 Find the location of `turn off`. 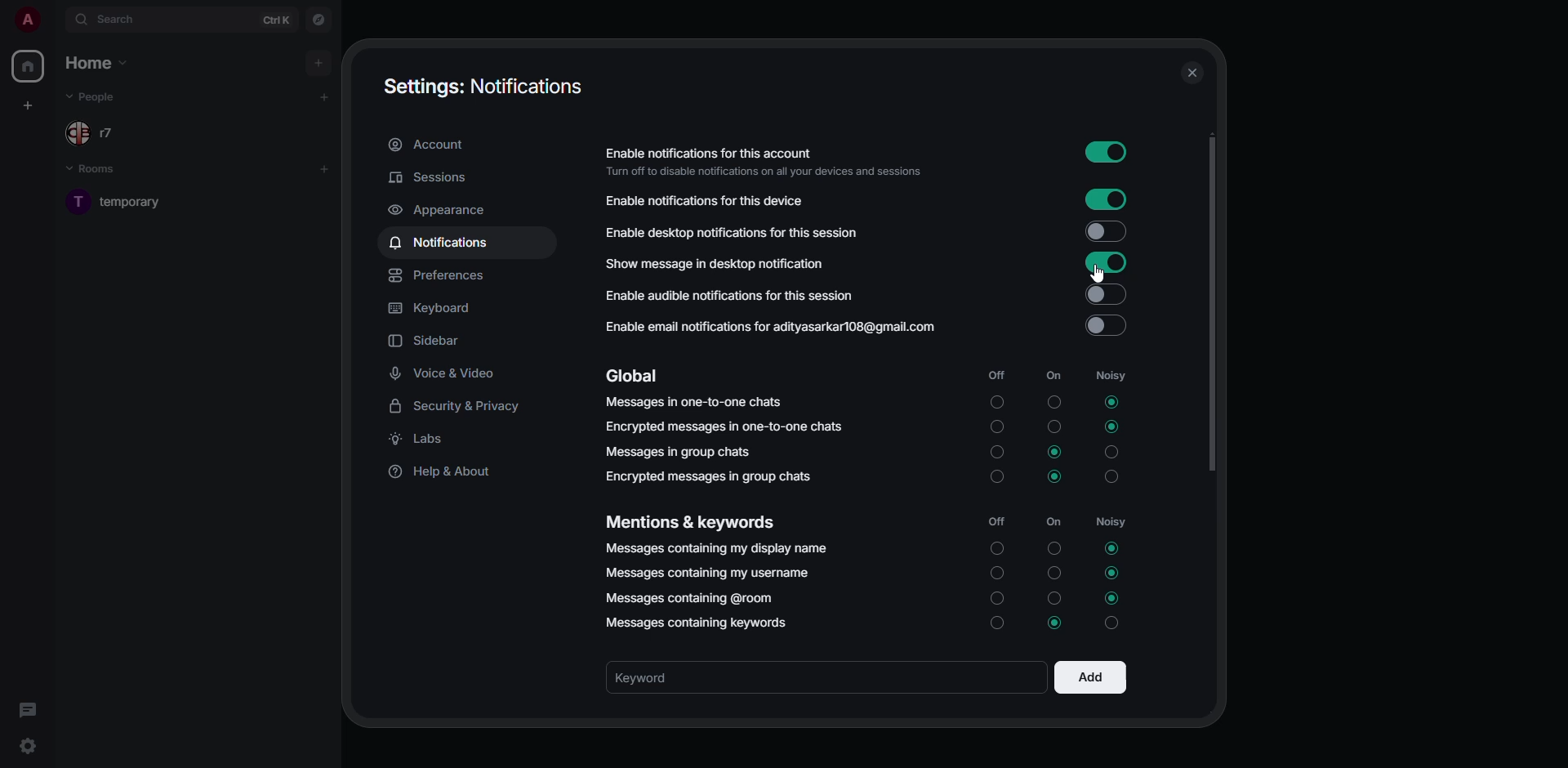

turn off is located at coordinates (1054, 597).